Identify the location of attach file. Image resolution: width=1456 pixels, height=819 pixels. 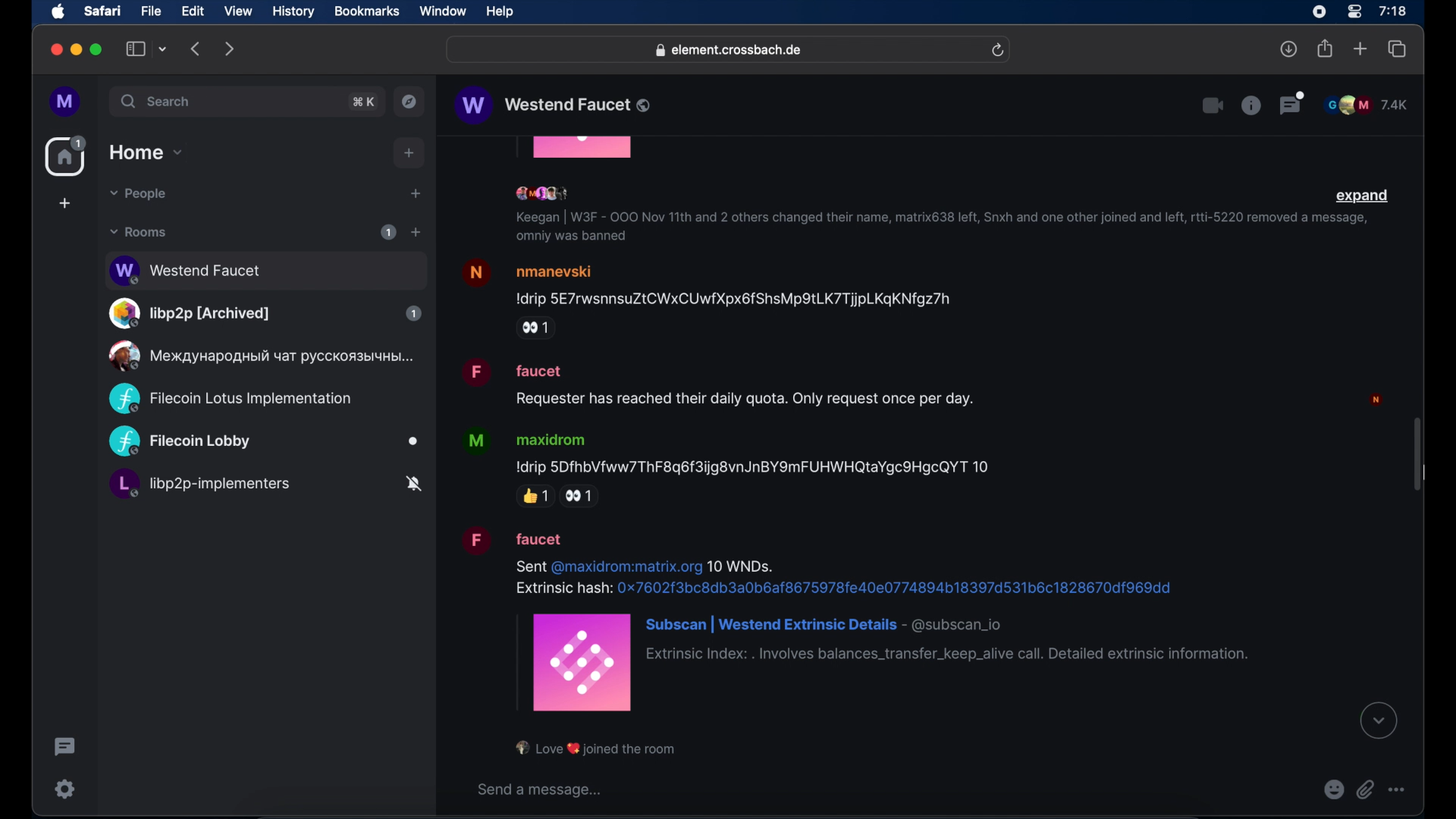
(1366, 789).